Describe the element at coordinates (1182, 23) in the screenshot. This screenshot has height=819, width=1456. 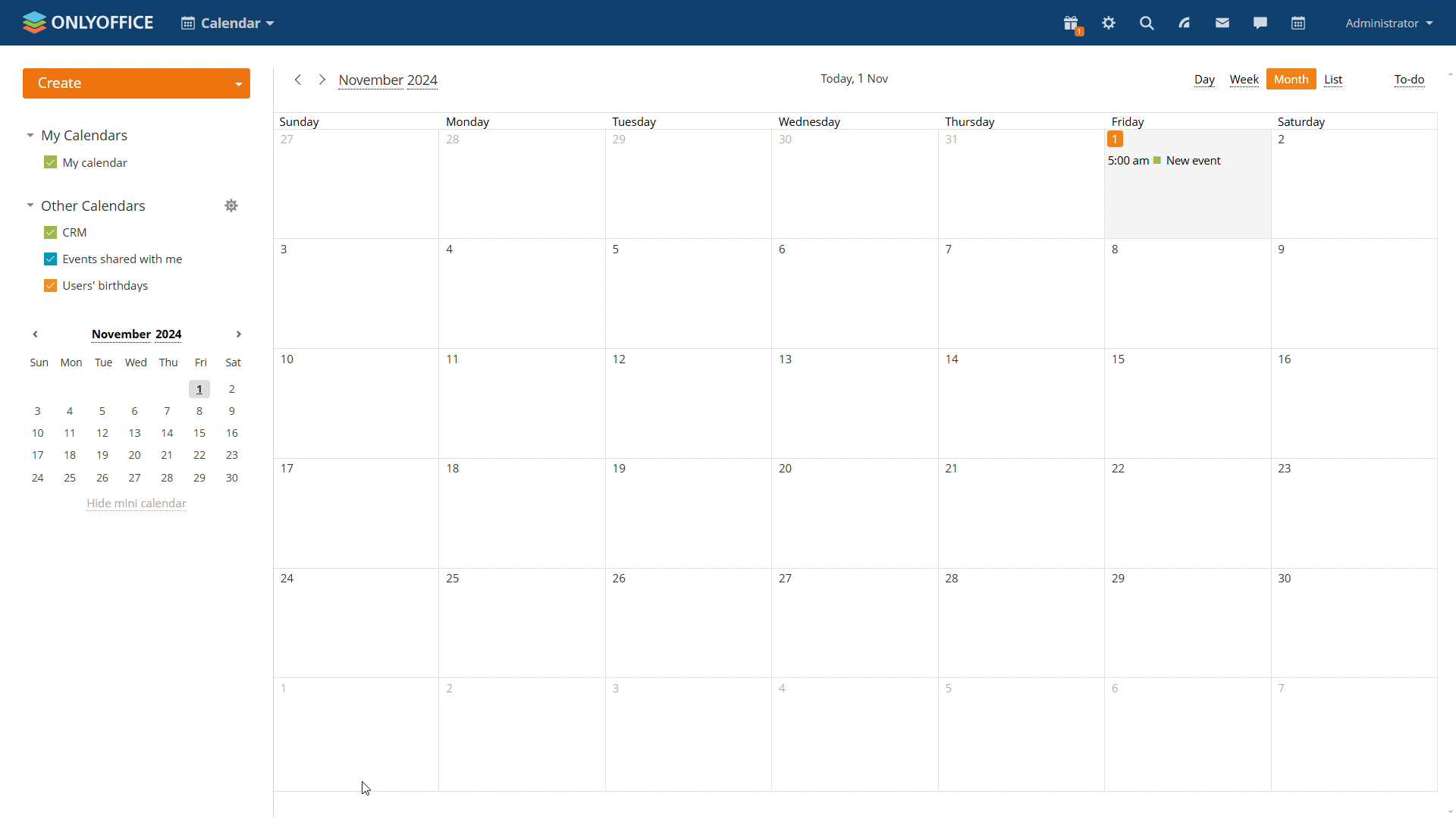
I see `feed` at that location.